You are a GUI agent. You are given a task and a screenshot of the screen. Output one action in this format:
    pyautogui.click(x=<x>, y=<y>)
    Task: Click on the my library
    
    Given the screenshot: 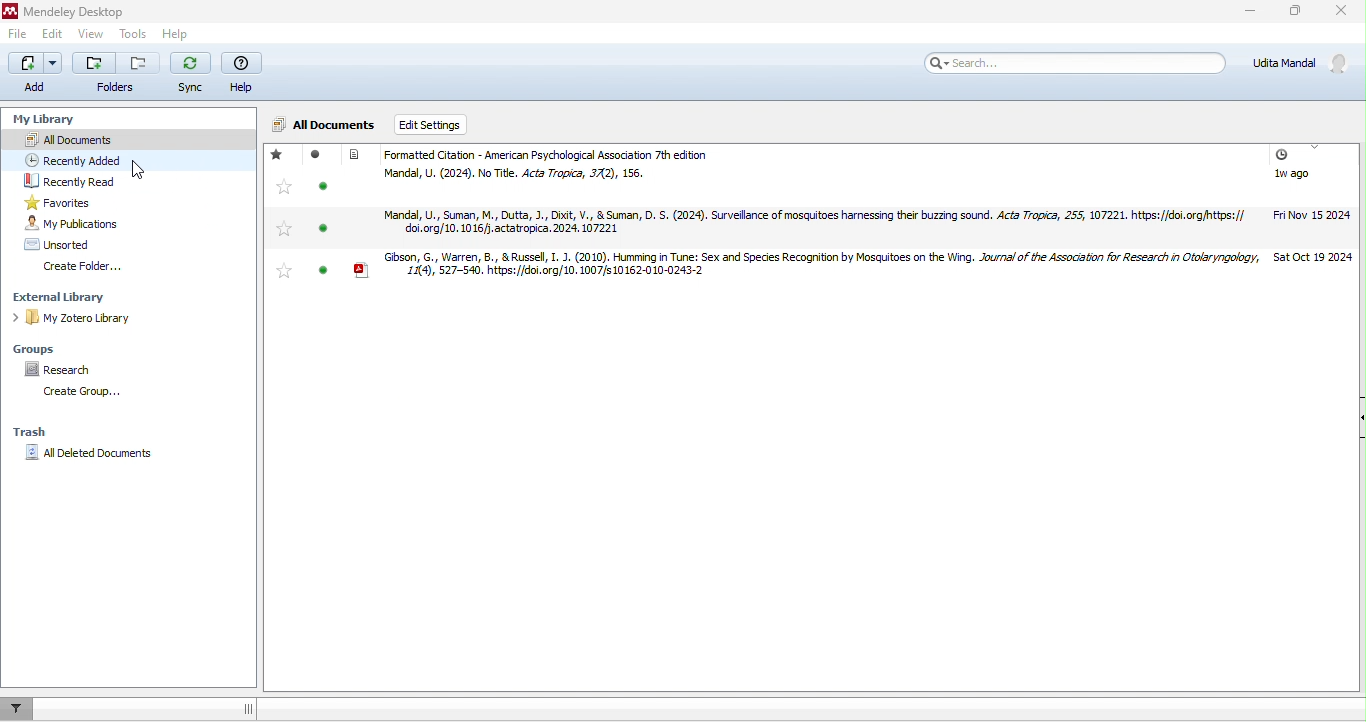 What is the action you would take?
    pyautogui.click(x=43, y=120)
    